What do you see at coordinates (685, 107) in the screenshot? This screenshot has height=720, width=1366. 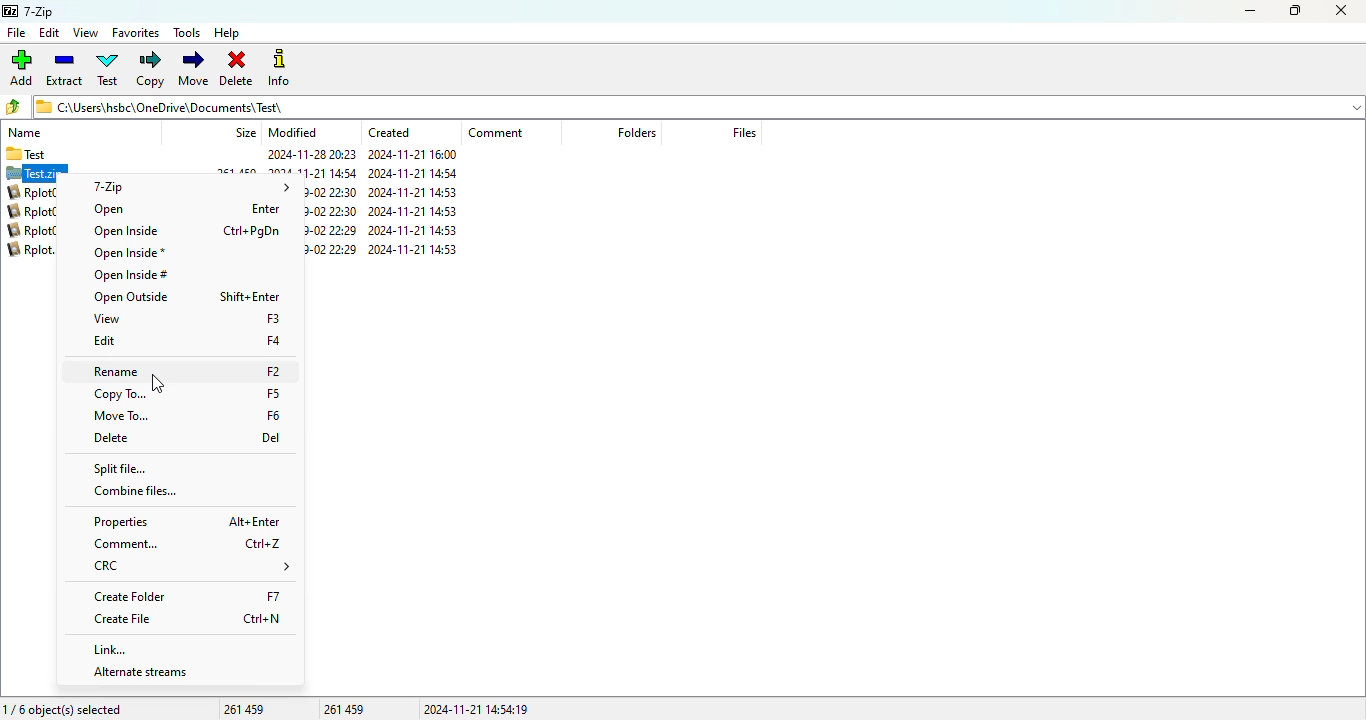 I see `C:\Users\hsbc\OneDrive\Documents)\ Test\` at bounding box center [685, 107].